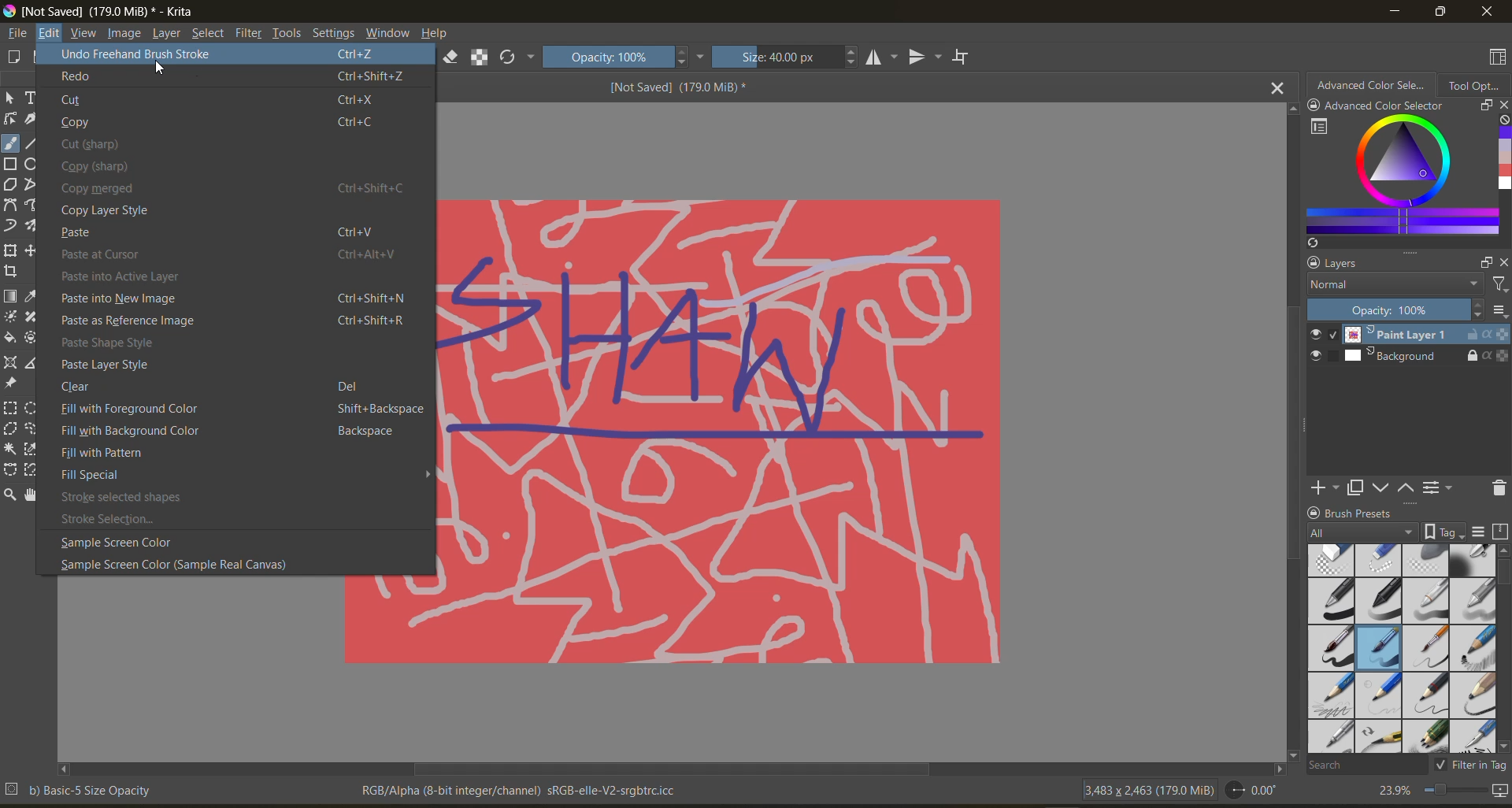 This screenshot has width=1512, height=808. Describe the element at coordinates (107, 167) in the screenshot. I see `copy (sharp)` at that location.